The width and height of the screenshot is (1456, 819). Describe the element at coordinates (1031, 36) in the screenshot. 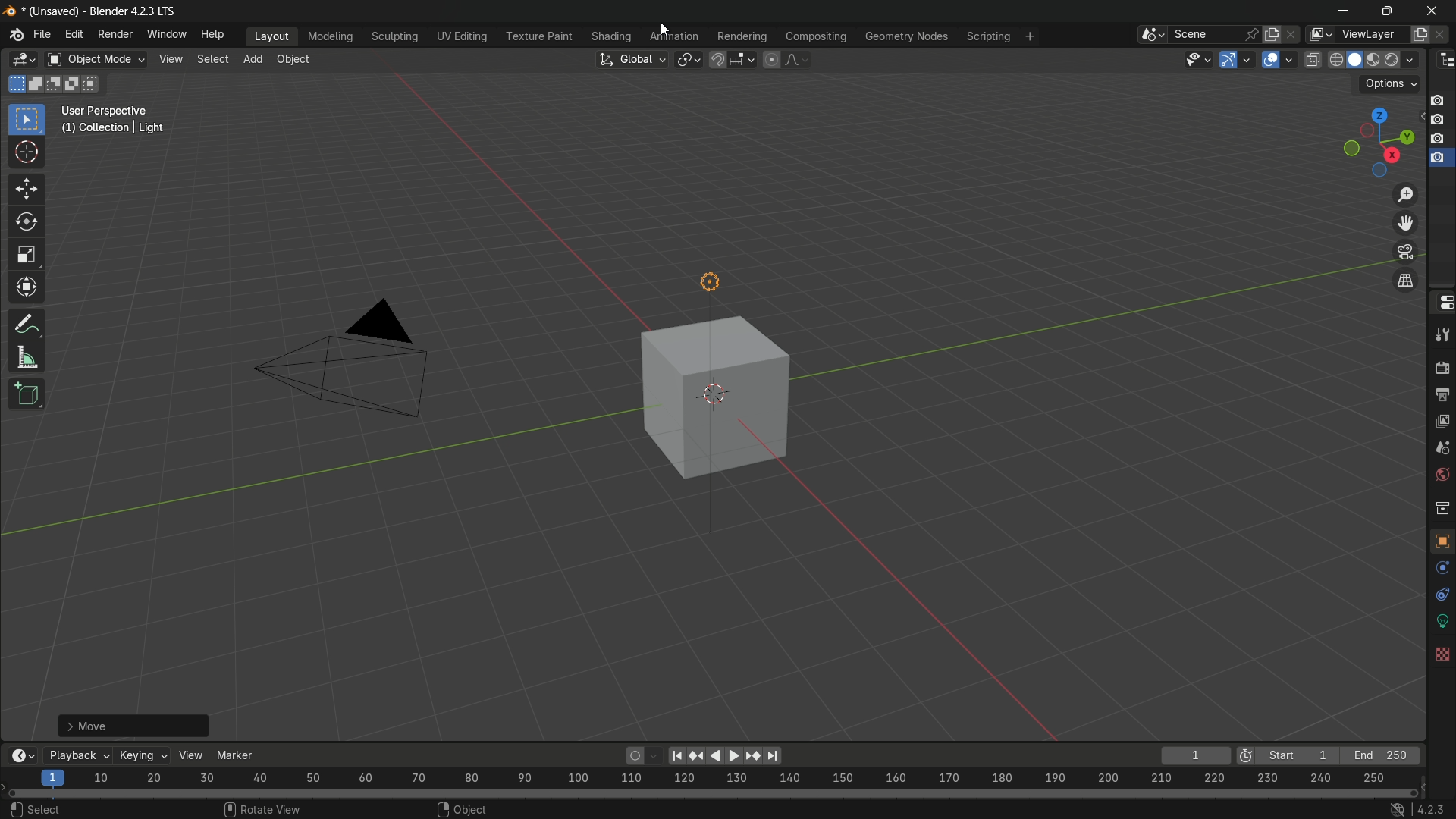

I see `add workspace` at that location.